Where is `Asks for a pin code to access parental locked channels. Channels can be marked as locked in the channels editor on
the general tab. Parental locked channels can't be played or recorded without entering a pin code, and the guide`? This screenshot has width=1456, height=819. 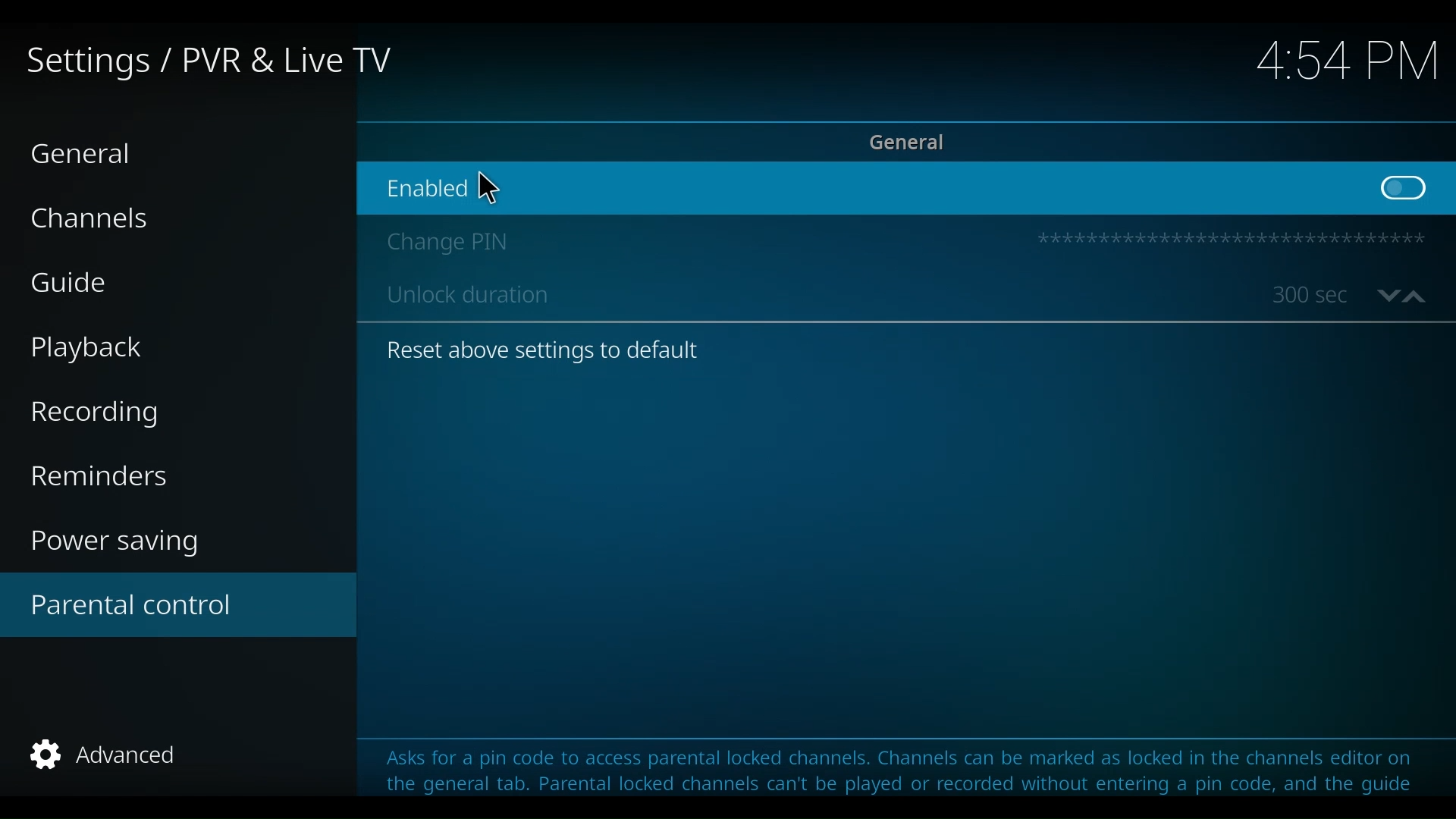
Asks for a pin code to access parental locked channels. Channels can be marked as locked in the channels editor on
the general tab. Parental locked channels can't be played or recorded without entering a pin code, and the guide is located at coordinates (893, 769).